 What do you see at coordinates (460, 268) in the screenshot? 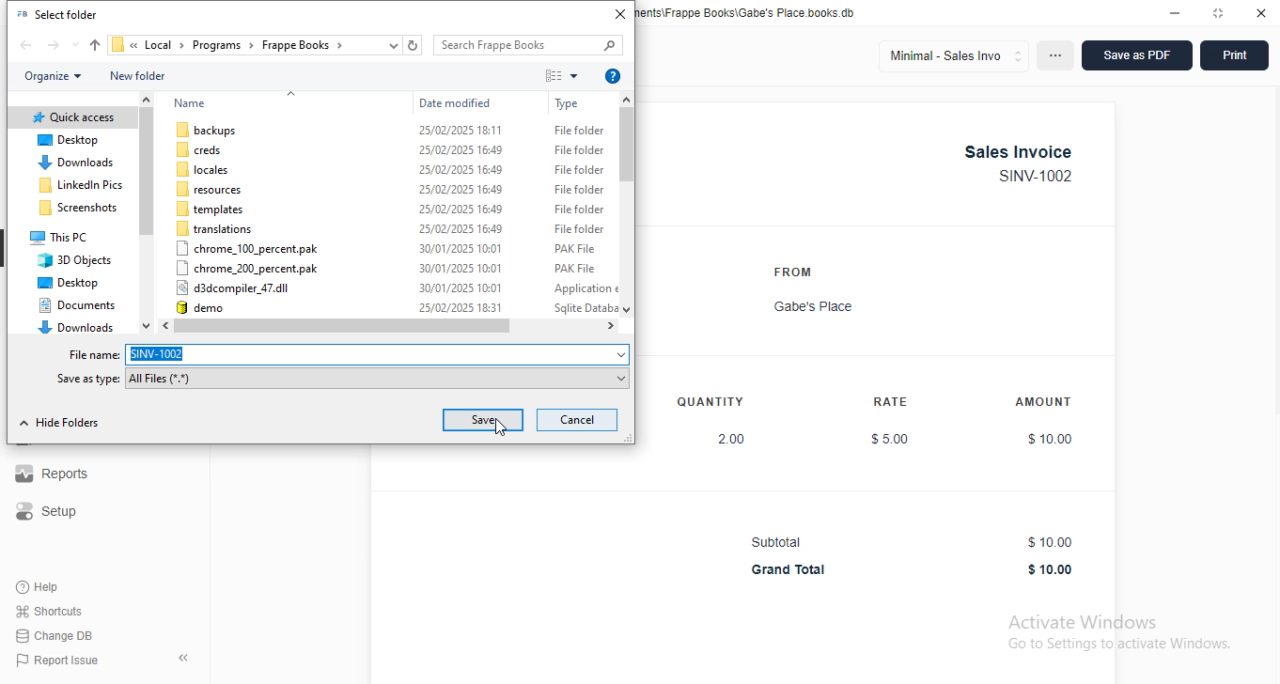
I see `30/01/2025 10:01` at bounding box center [460, 268].